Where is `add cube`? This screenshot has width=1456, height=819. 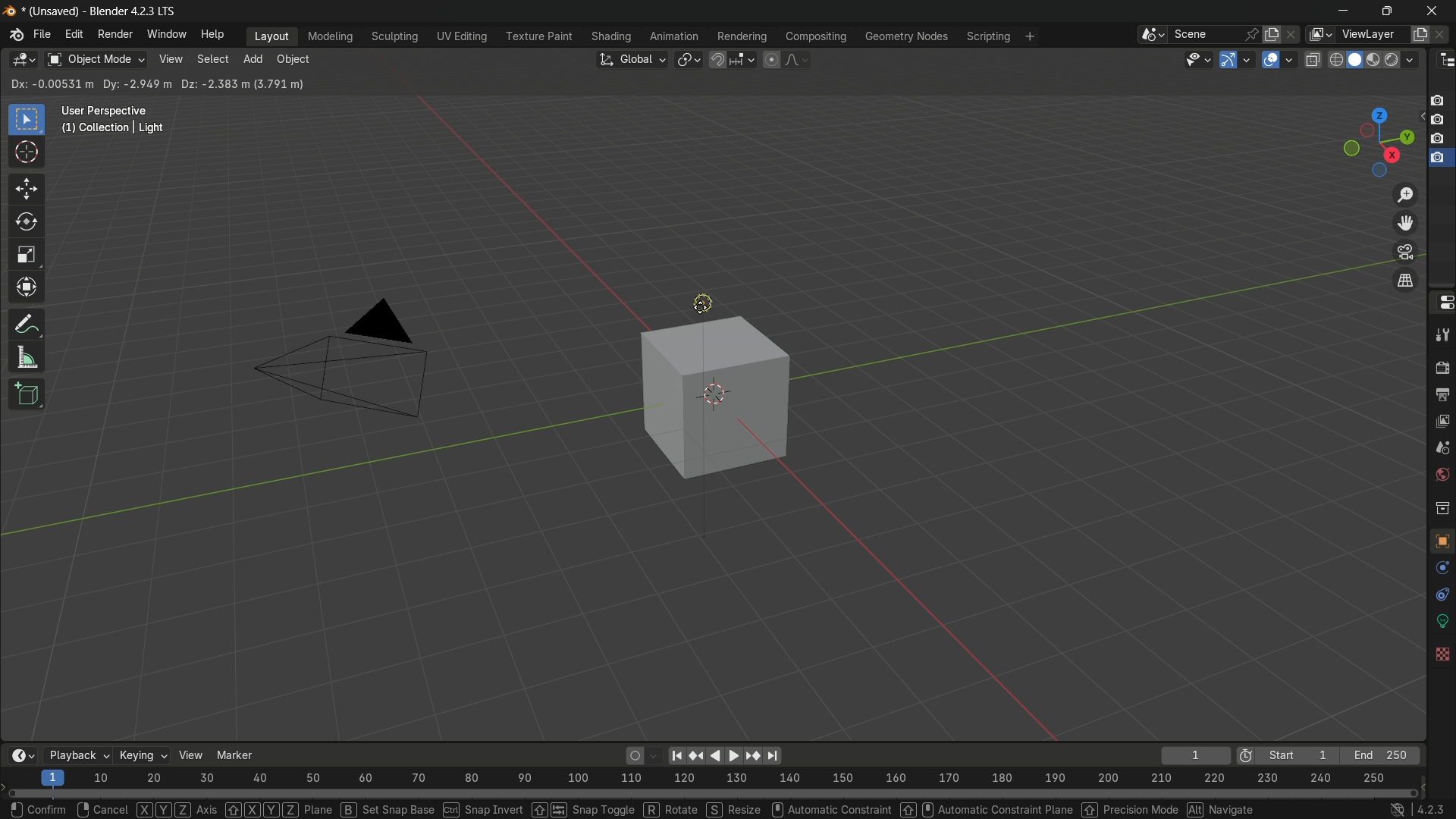 add cube is located at coordinates (27, 394).